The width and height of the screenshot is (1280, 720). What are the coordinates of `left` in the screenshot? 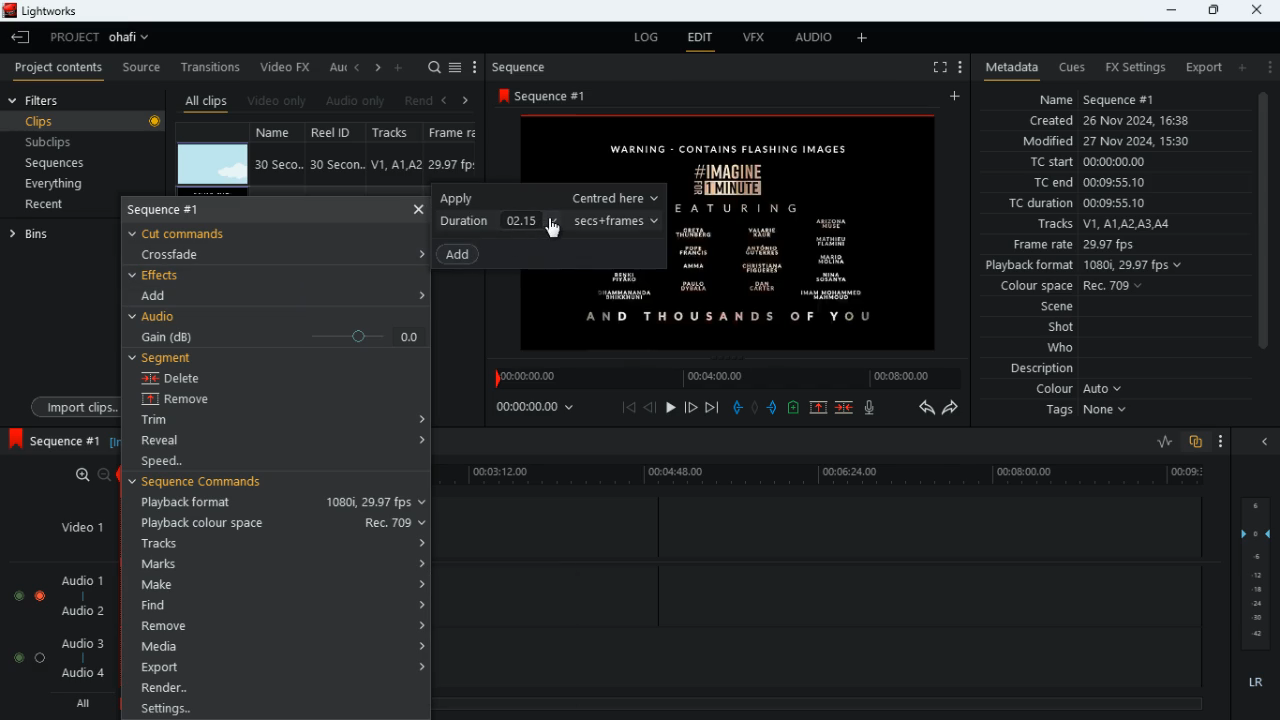 It's located at (358, 67).